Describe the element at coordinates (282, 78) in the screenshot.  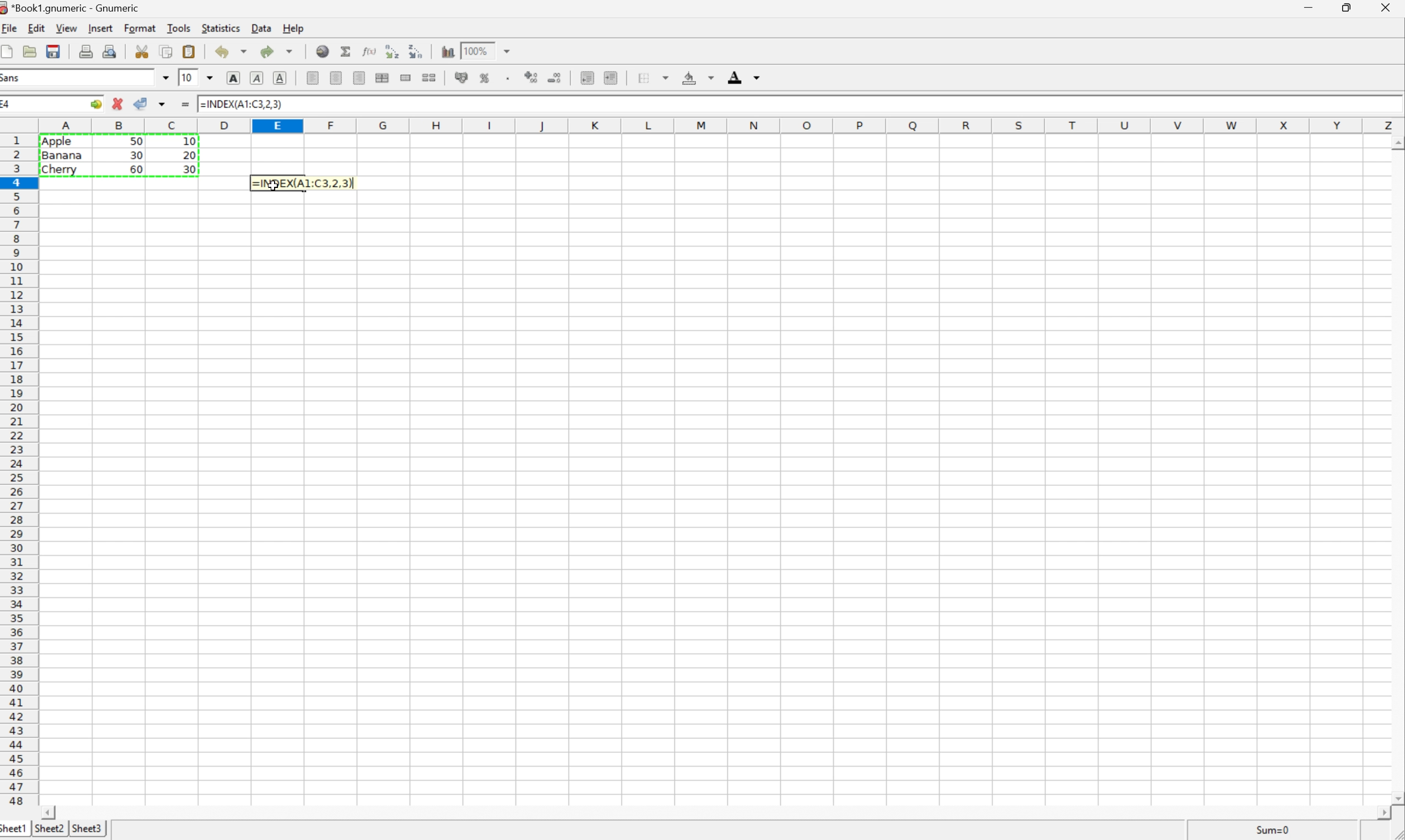
I see `underline` at that location.